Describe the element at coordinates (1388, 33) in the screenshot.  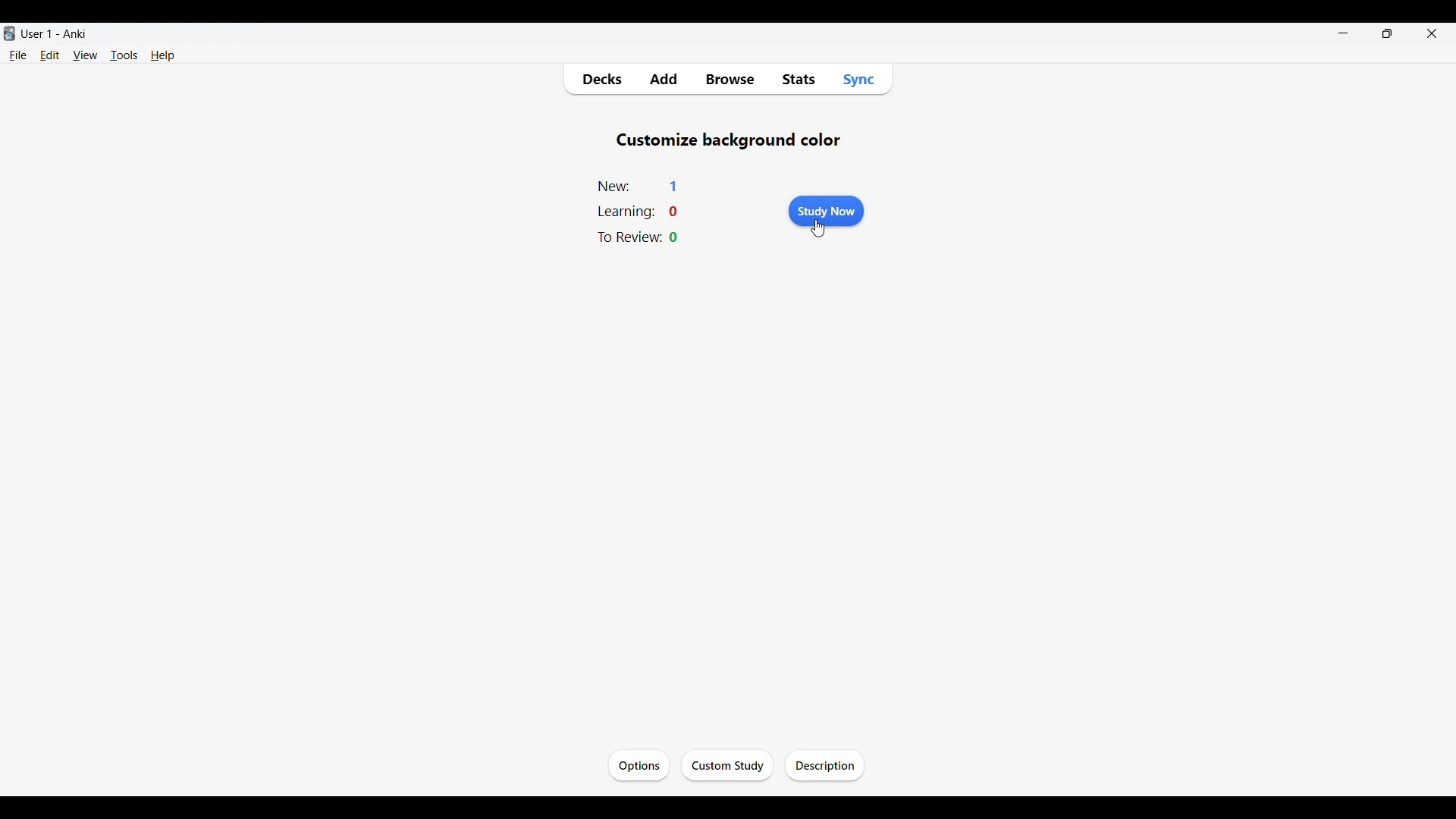
I see `Show interface in smaller tab` at that location.